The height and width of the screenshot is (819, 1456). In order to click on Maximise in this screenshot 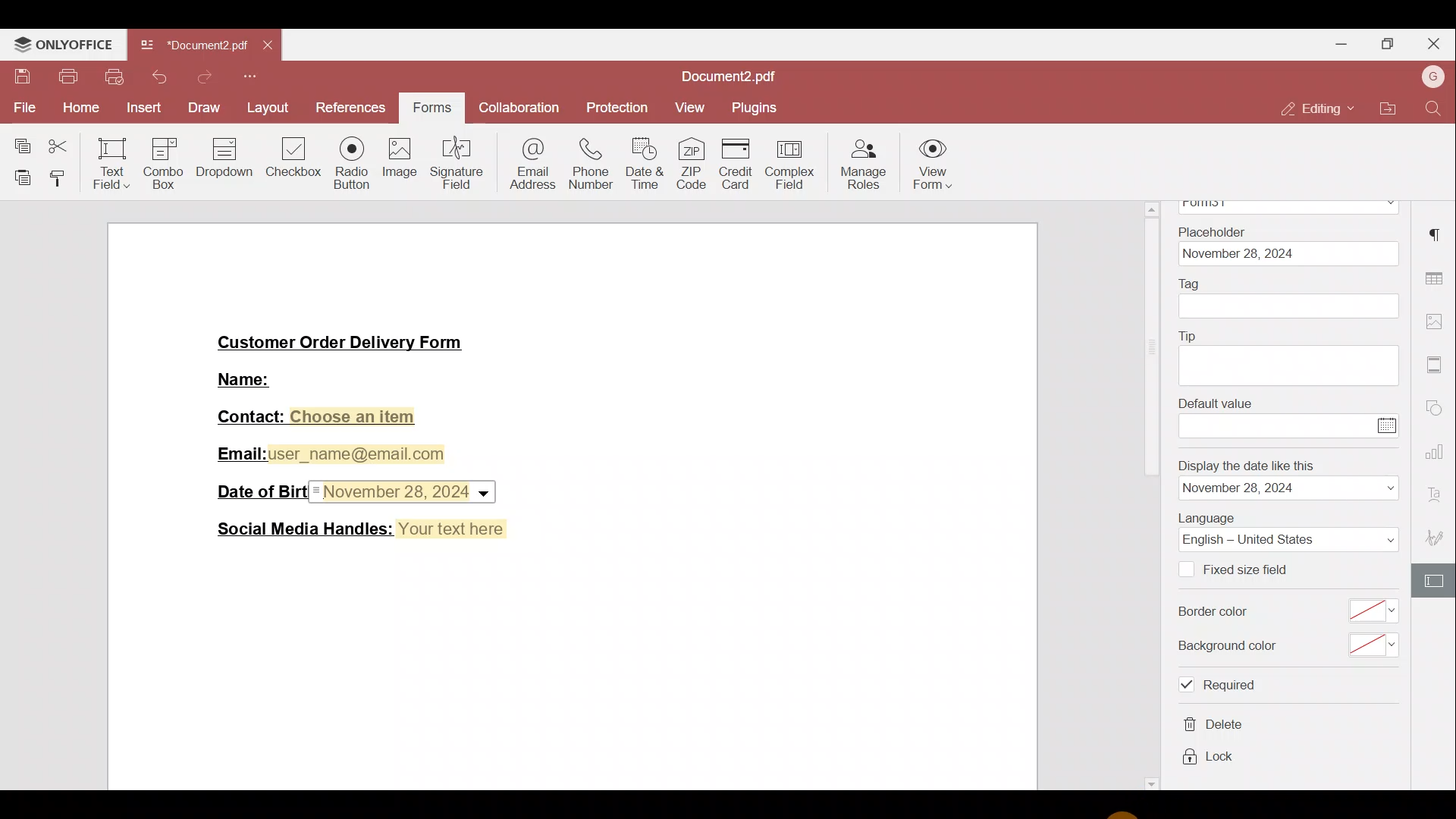, I will do `click(1389, 42)`.